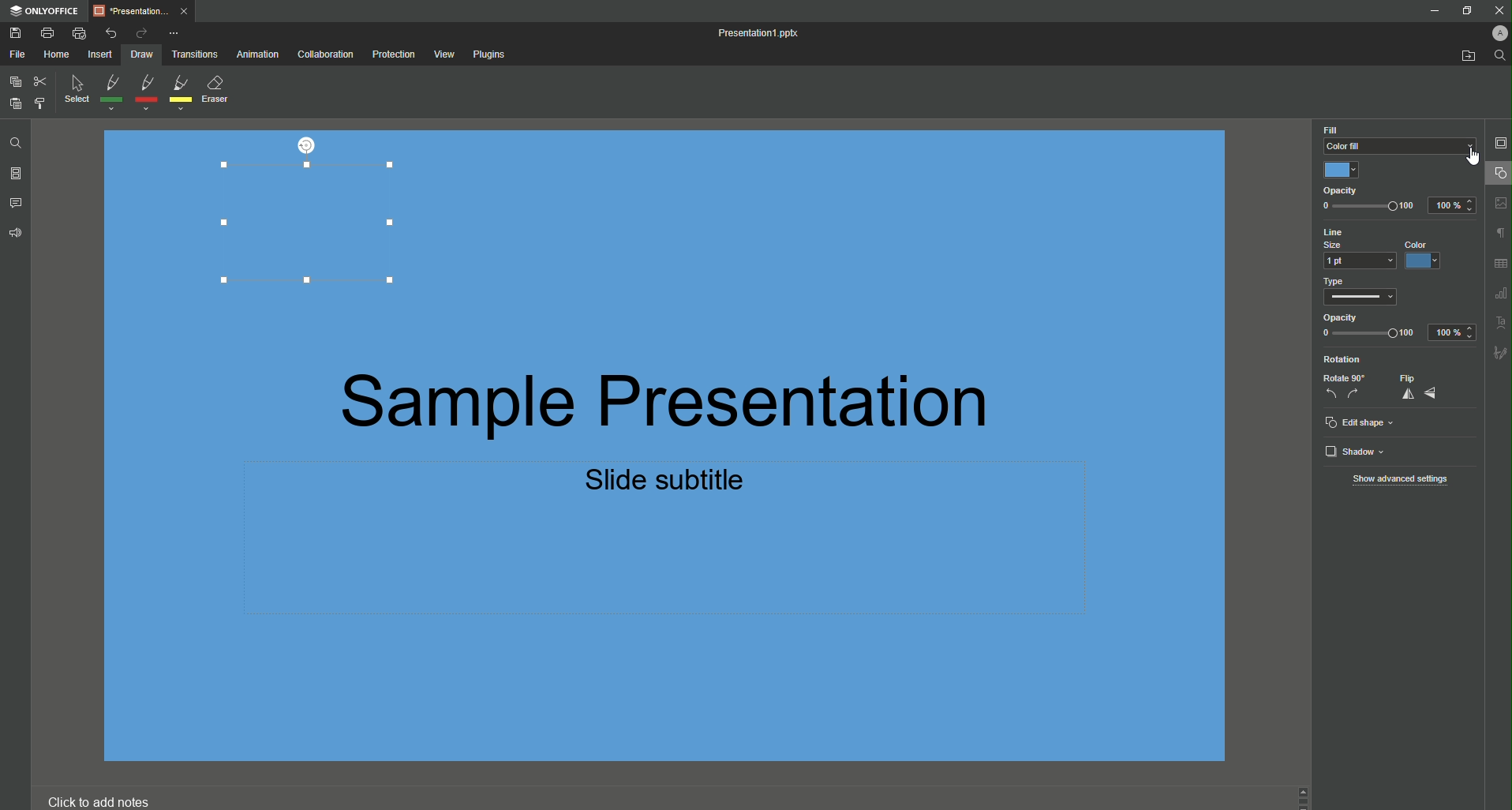 The image size is (1512, 810). I want to click on Save, so click(17, 34).